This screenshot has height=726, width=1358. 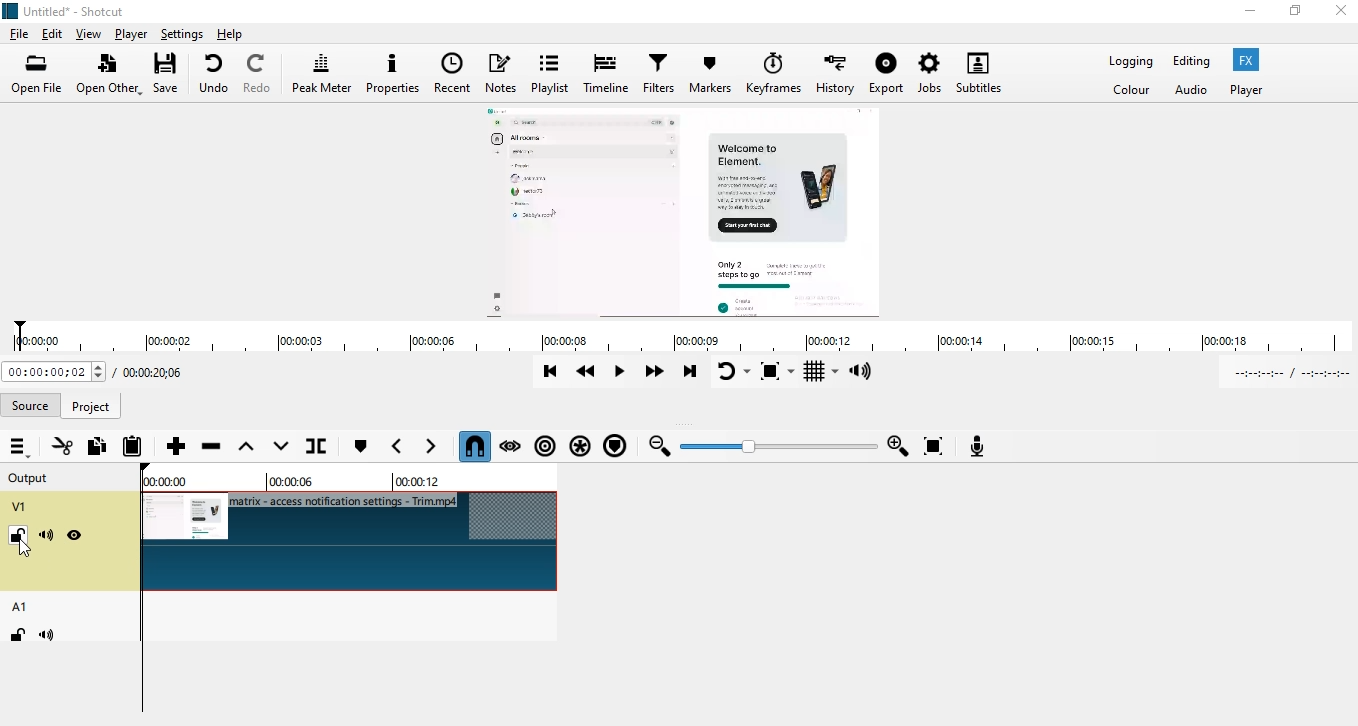 What do you see at coordinates (133, 447) in the screenshot?
I see `Paste` at bounding box center [133, 447].